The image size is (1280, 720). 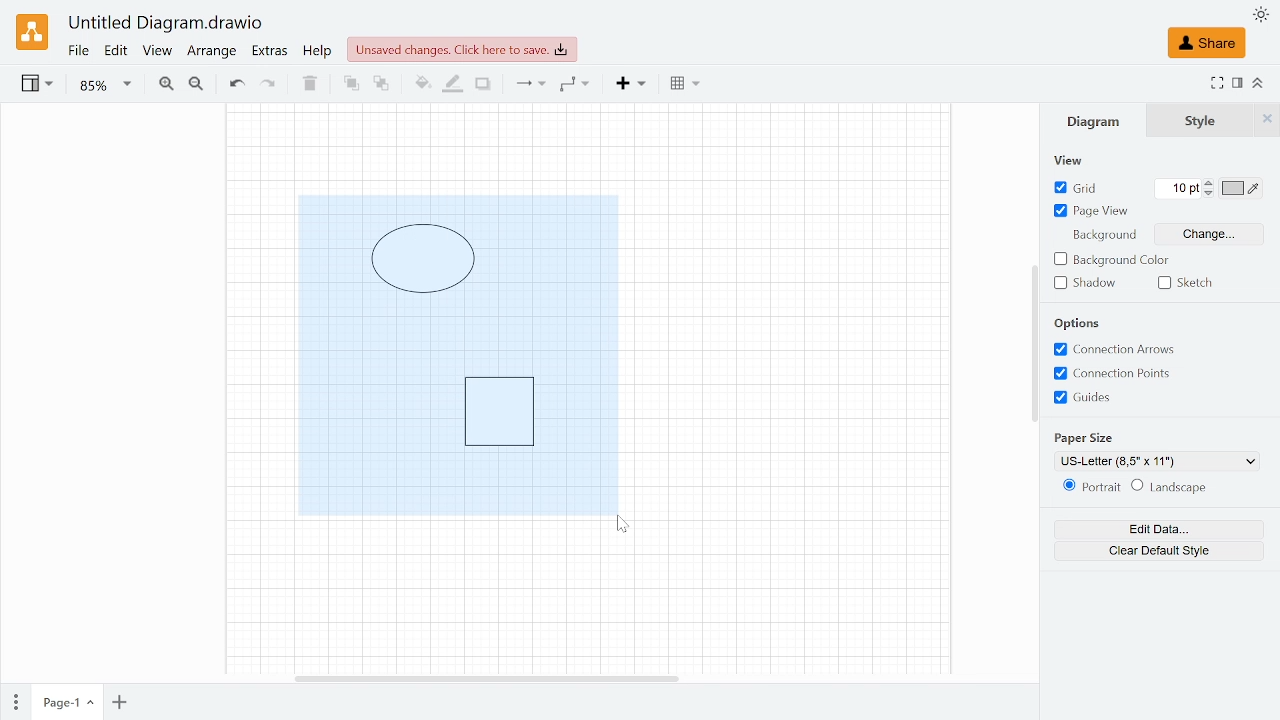 What do you see at coordinates (1178, 188) in the screenshot?
I see `Grid units` at bounding box center [1178, 188].